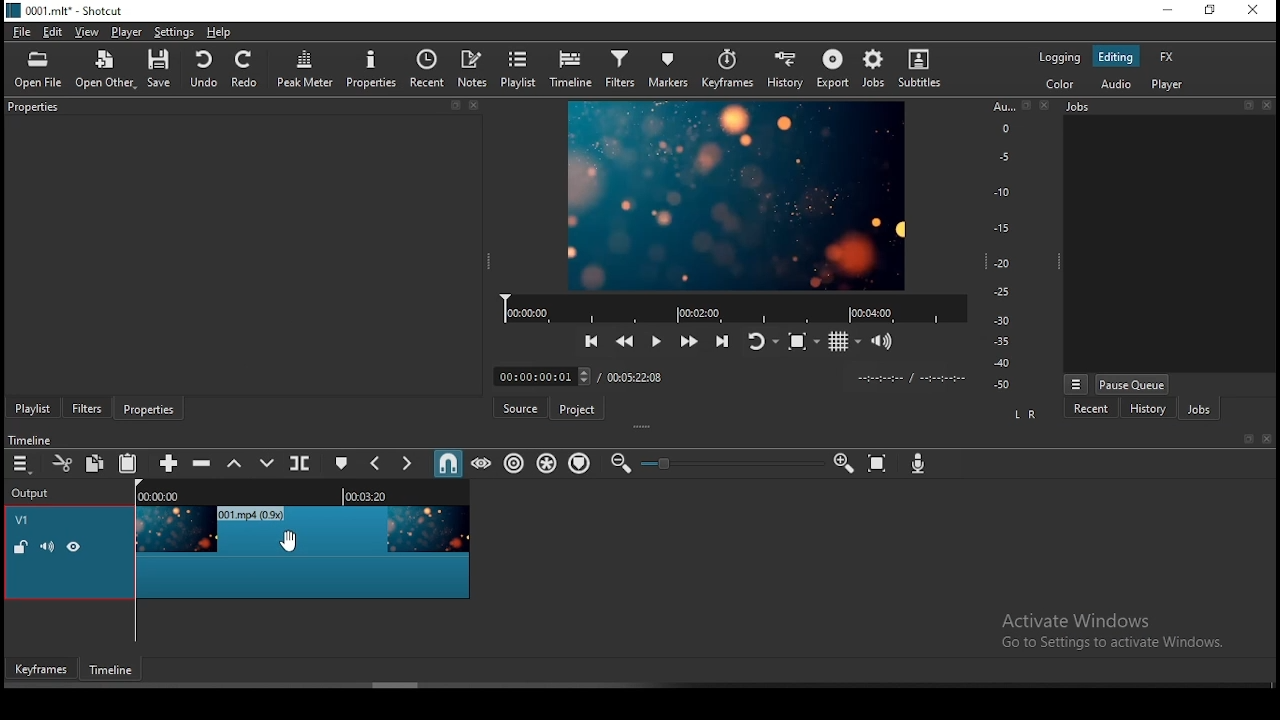  Describe the element at coordinates (22, 548) in the screenshot. I see `(un)locked` at that location.